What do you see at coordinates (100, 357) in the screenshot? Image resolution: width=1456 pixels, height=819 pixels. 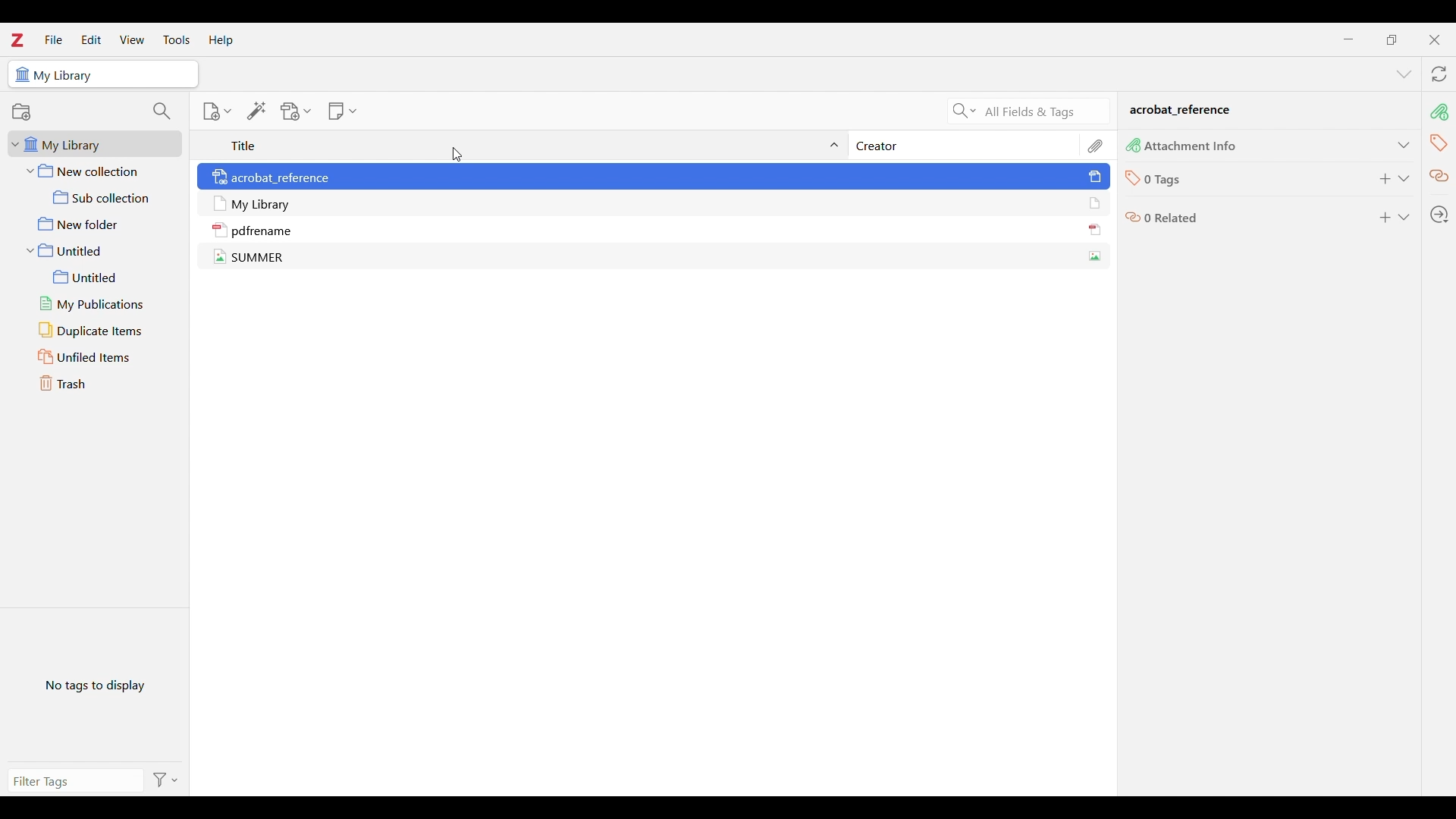 I see `Unfiled items folder` at bounding box center [100, 357].